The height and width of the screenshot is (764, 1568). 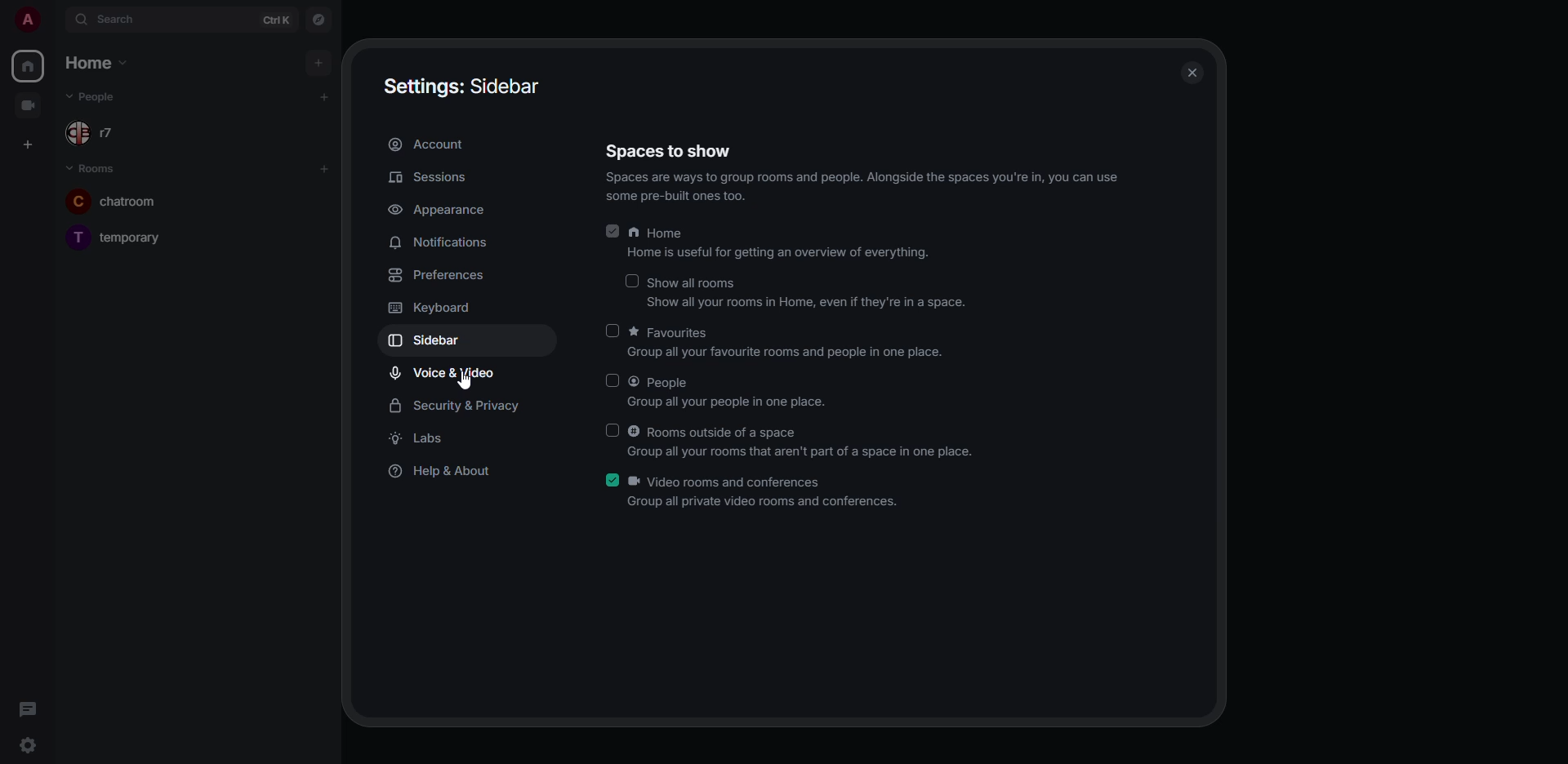 What do you see at coordinates (315, 19) in the screenshot?
I see `navigator` at bounding box center [315, 19].